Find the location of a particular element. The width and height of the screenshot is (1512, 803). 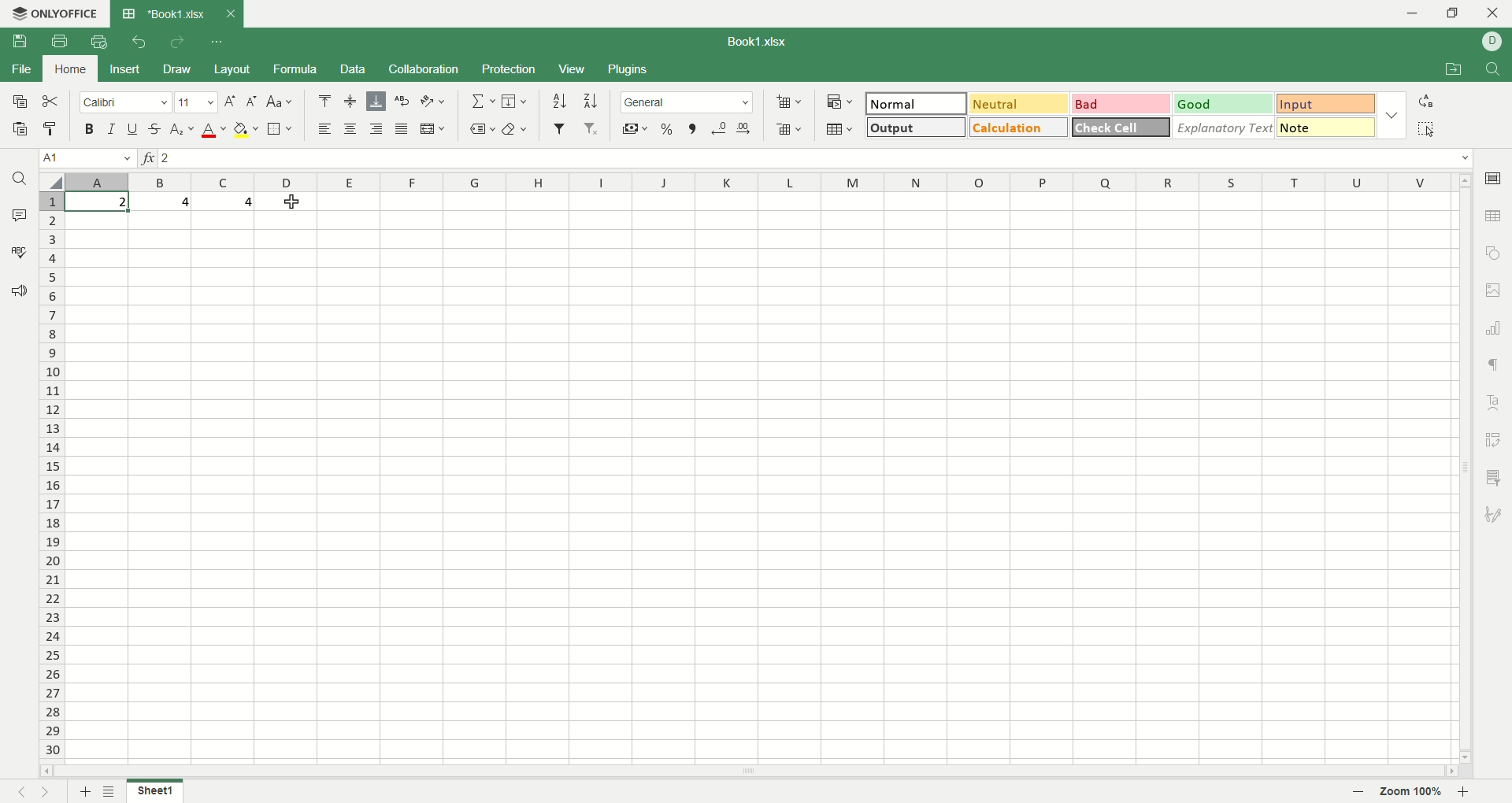

add is located at coordinates (82, 791).